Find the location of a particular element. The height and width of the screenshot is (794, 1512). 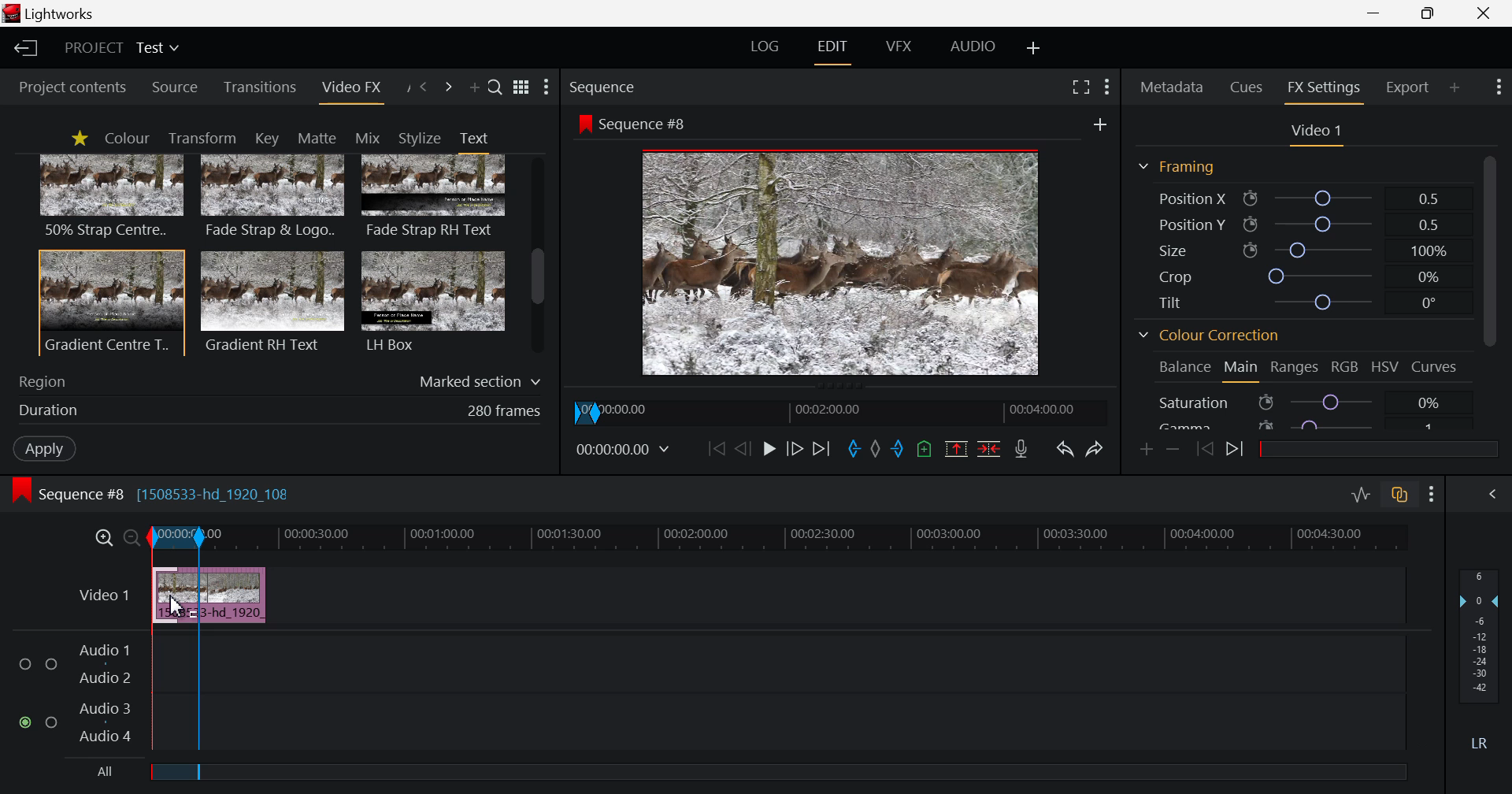

Go Forward is located at coordinates (793, 447).